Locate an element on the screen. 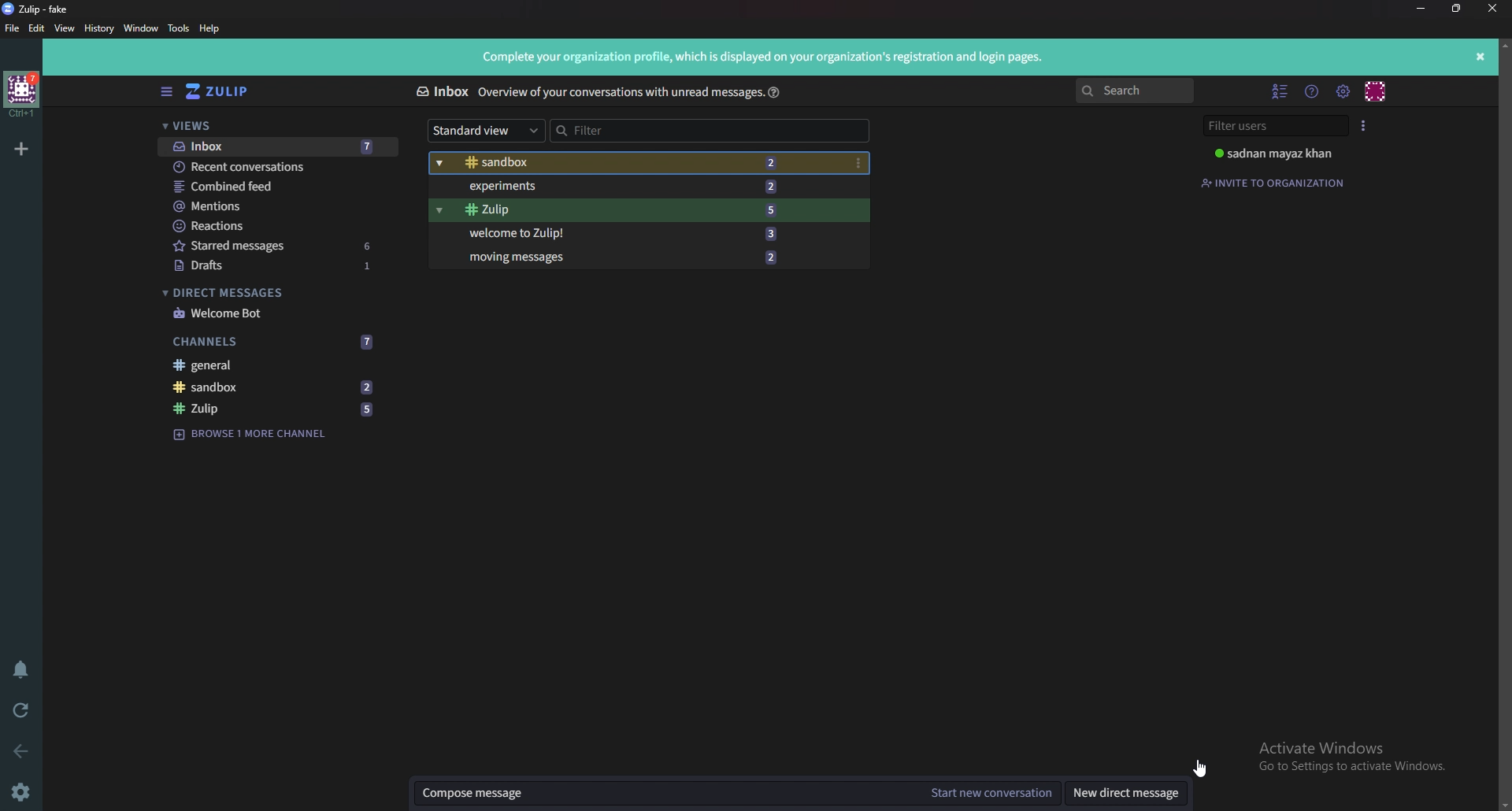  Window is located at coordinates (142, 28).